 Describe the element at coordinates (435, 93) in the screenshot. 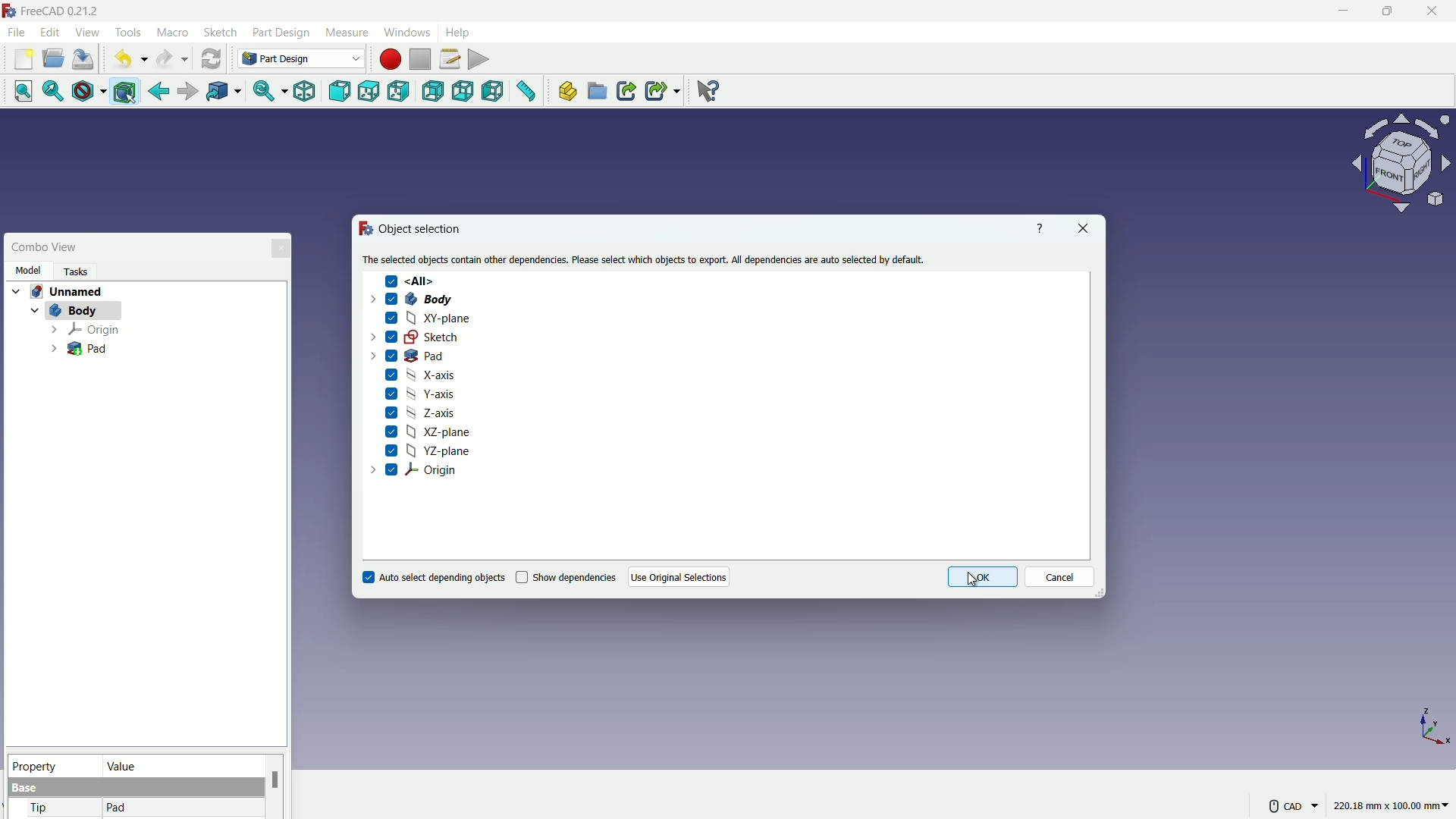

I see `back view` at that location.